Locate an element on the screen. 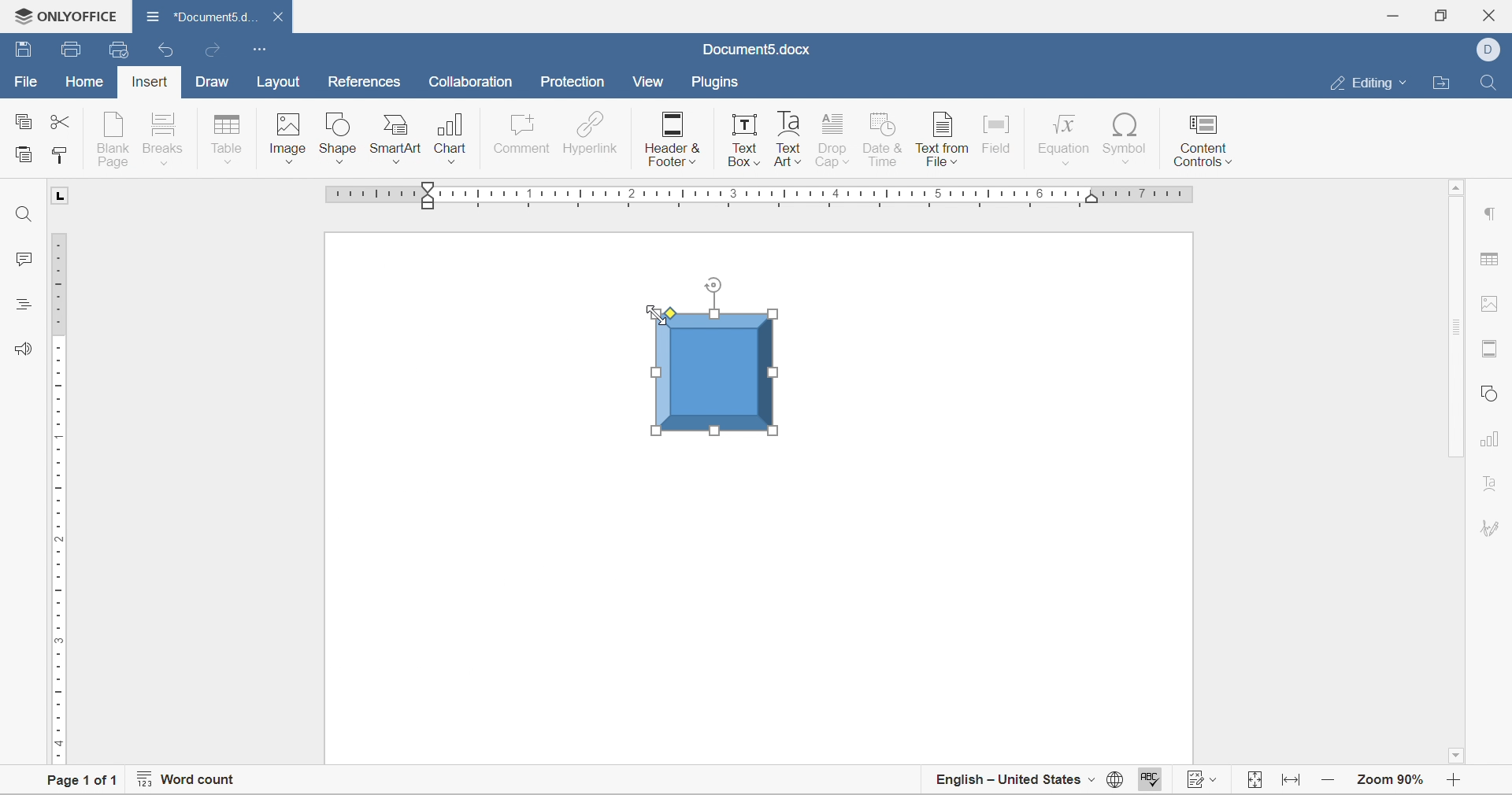 The width and height of the screenshot is (1512, 795). image settings is located at coordinates (1496, 303).